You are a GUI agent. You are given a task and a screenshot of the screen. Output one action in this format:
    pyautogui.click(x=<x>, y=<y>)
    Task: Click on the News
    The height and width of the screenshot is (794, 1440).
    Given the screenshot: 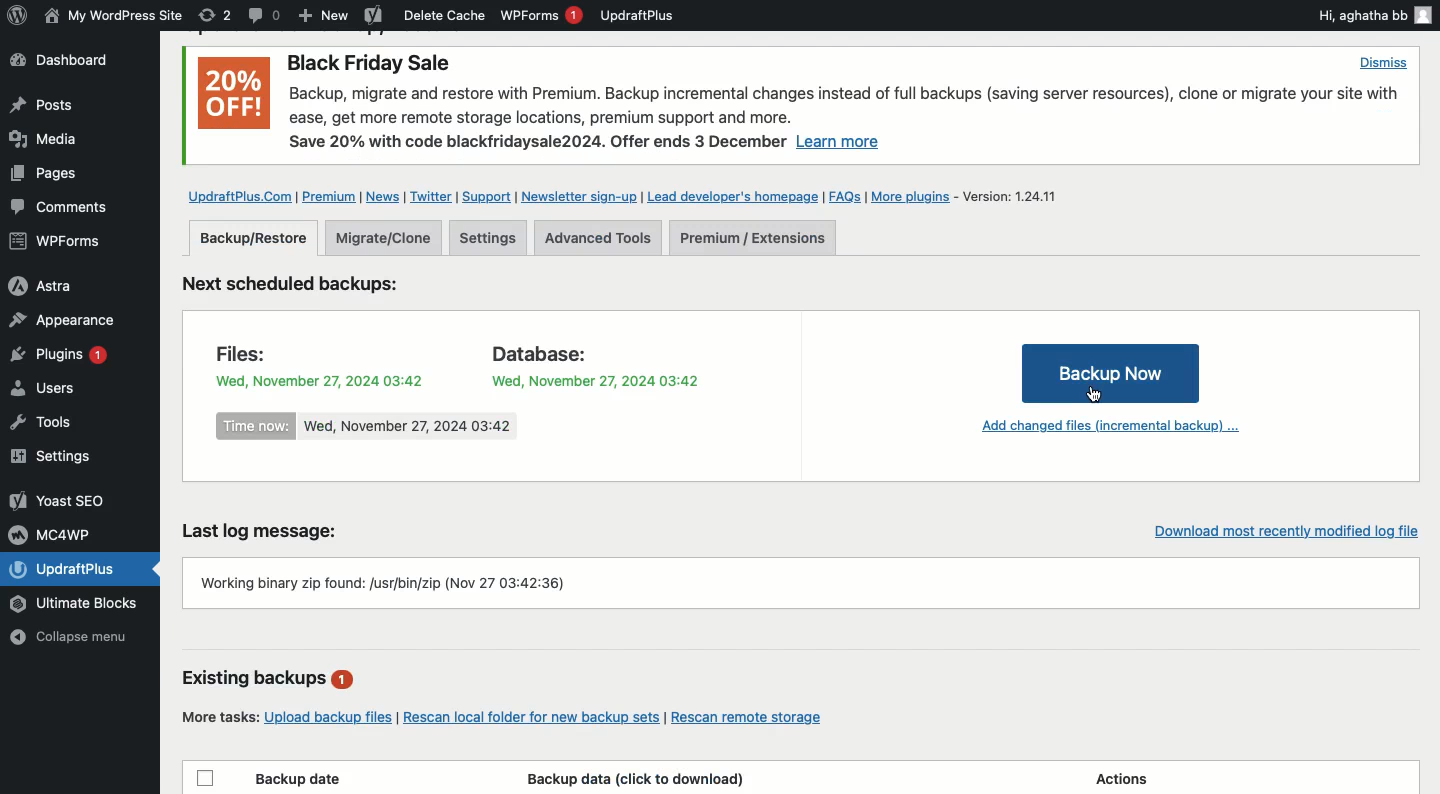 What is the action you would take?
    pyautogui.click(x=384, y=197)
    